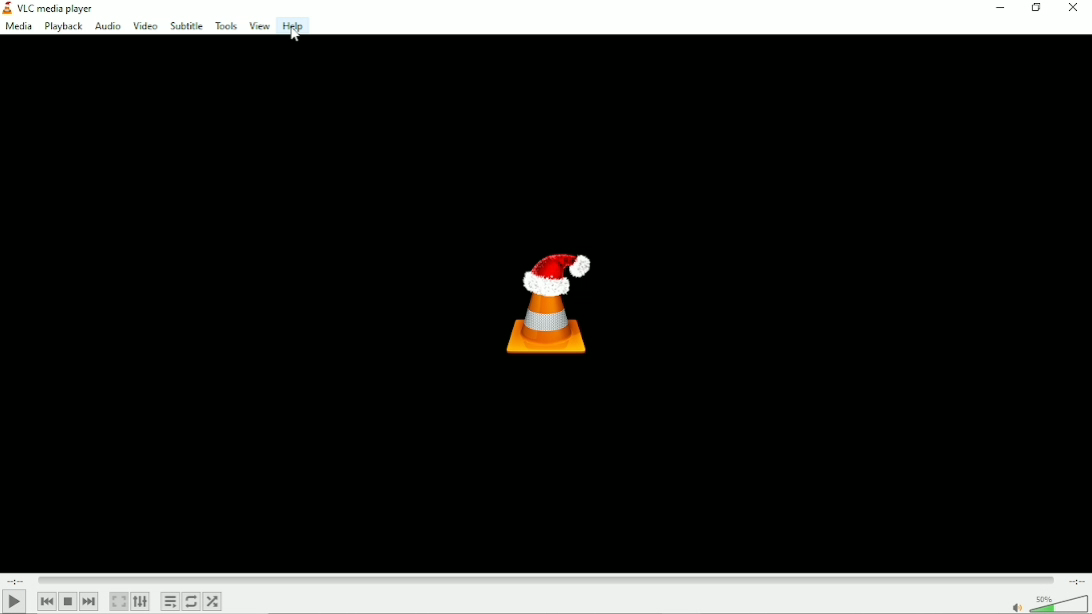  What do you see at coordinates (63, 27) in the screenshot?
I see `Playback` at bounding box center [63, 27].